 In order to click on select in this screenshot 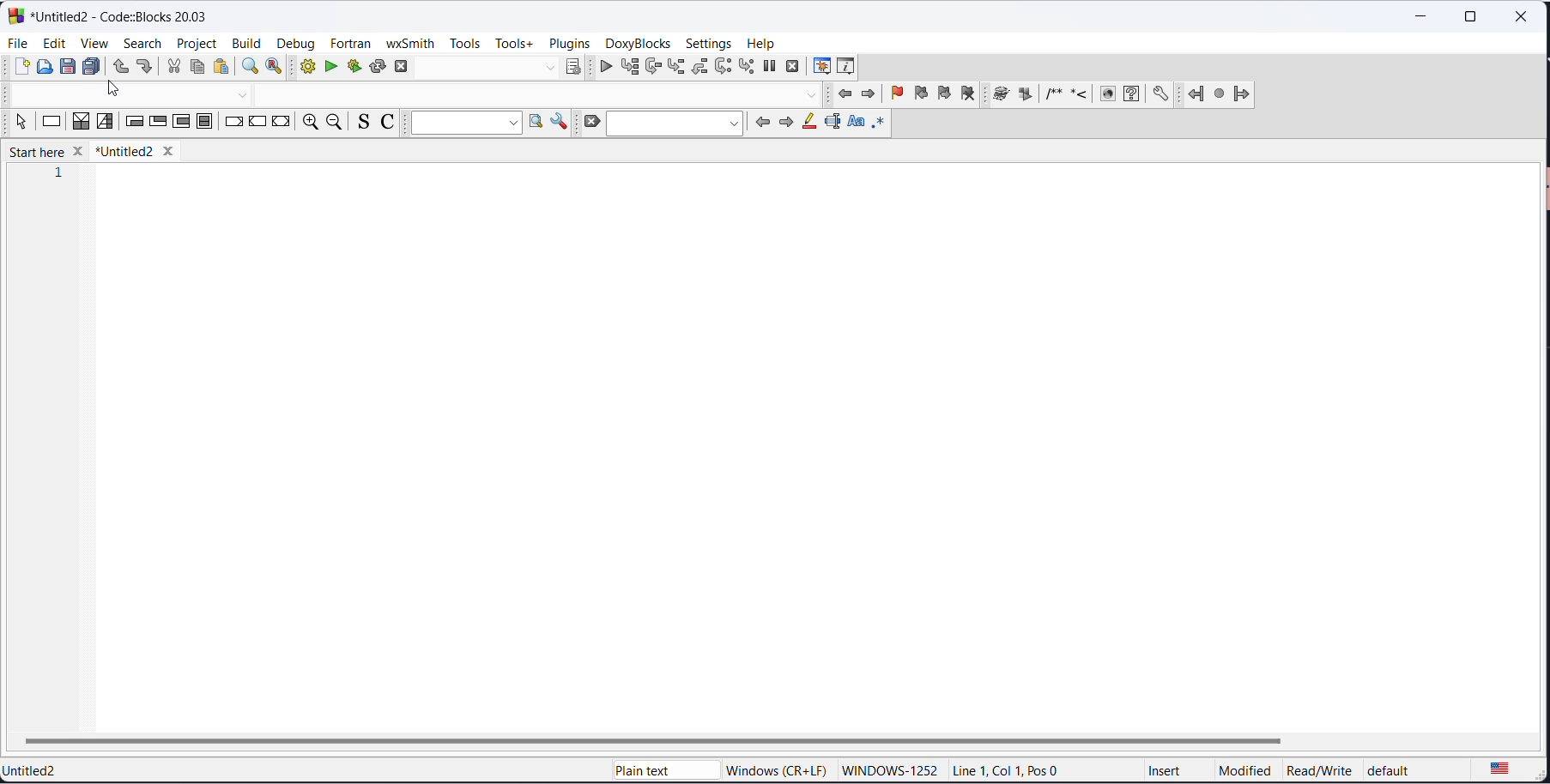, I will do `click(20, 122)`.